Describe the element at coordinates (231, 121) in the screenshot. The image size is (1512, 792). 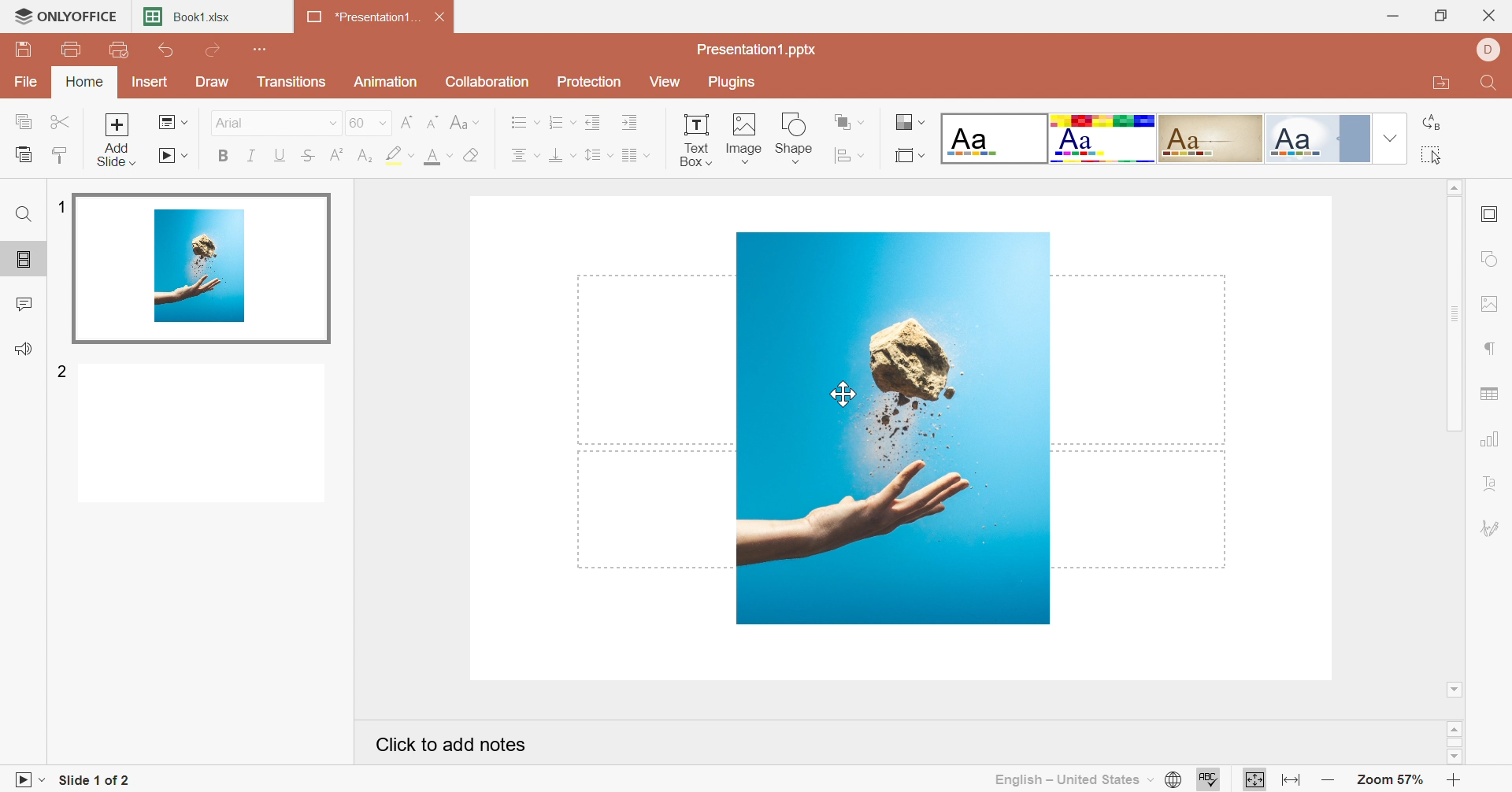
I see `Font` at that location.